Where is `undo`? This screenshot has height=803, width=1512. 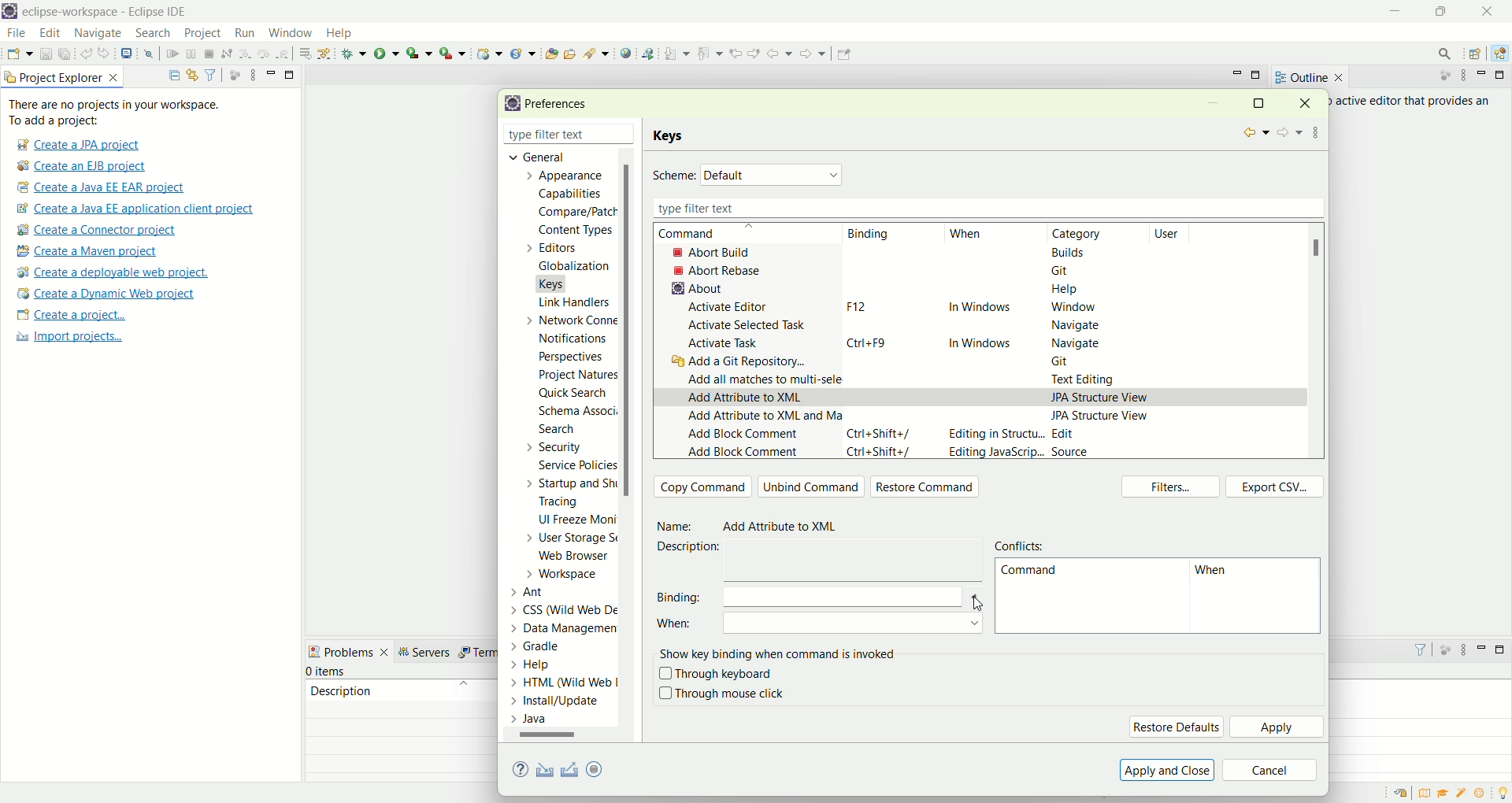
undo is located at coordinates (87, 54).